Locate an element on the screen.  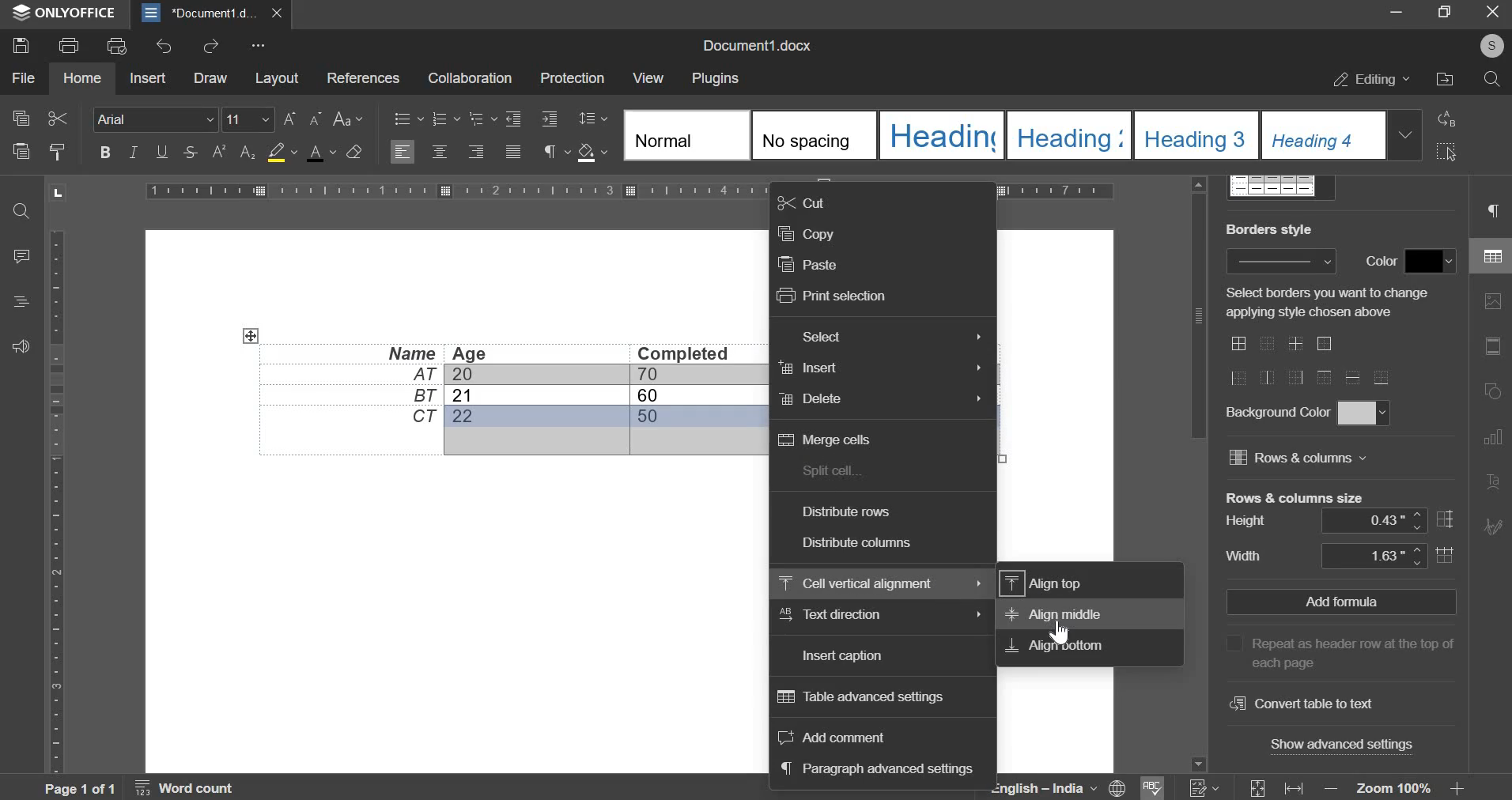
protection is located at coordinates (572, 78).